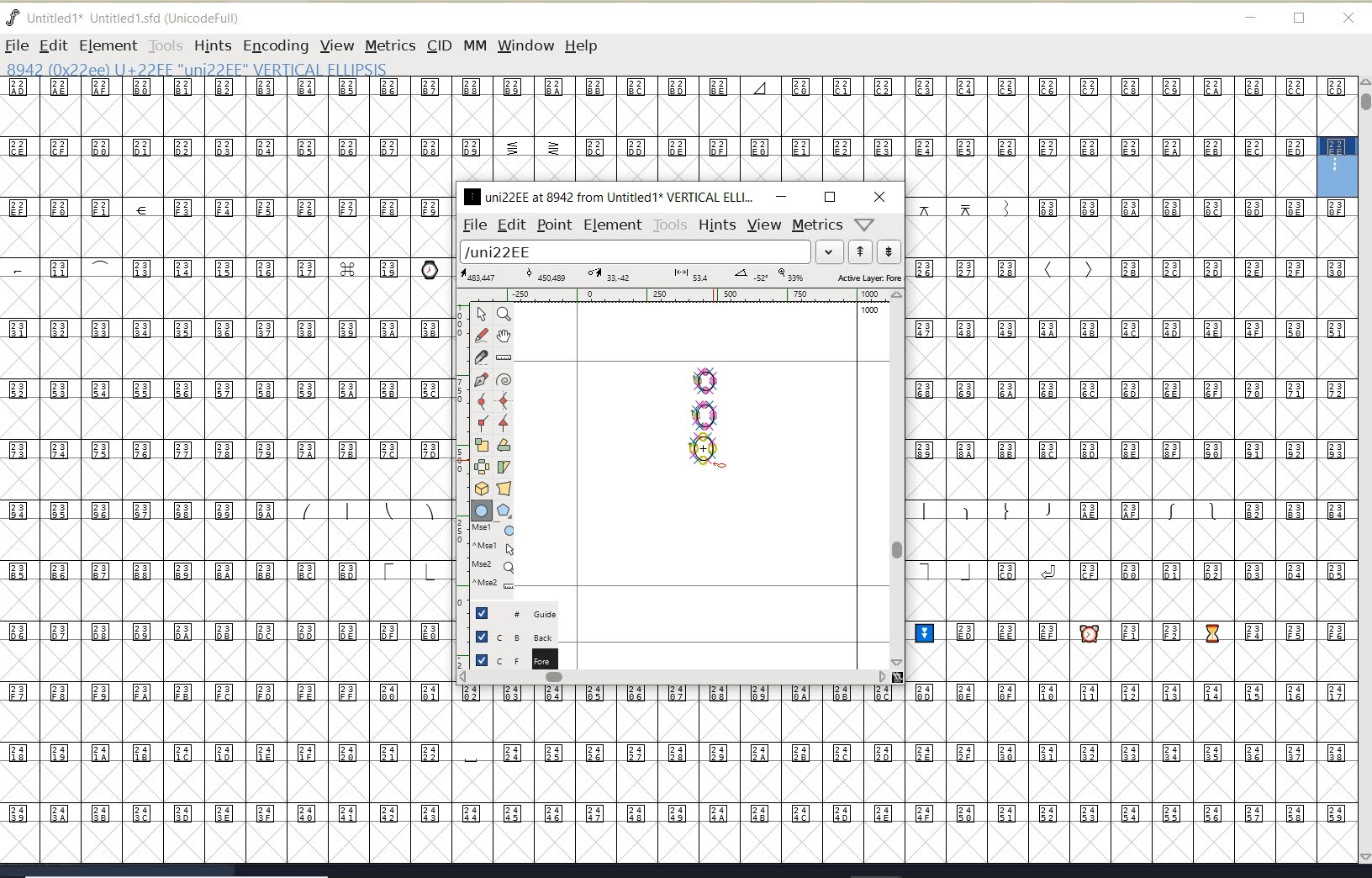 The height and width of the screenshot is (878, 1372). Describe the element at coordinates (1338, 167) in the screenshot. I see `glyph selected` at that location.